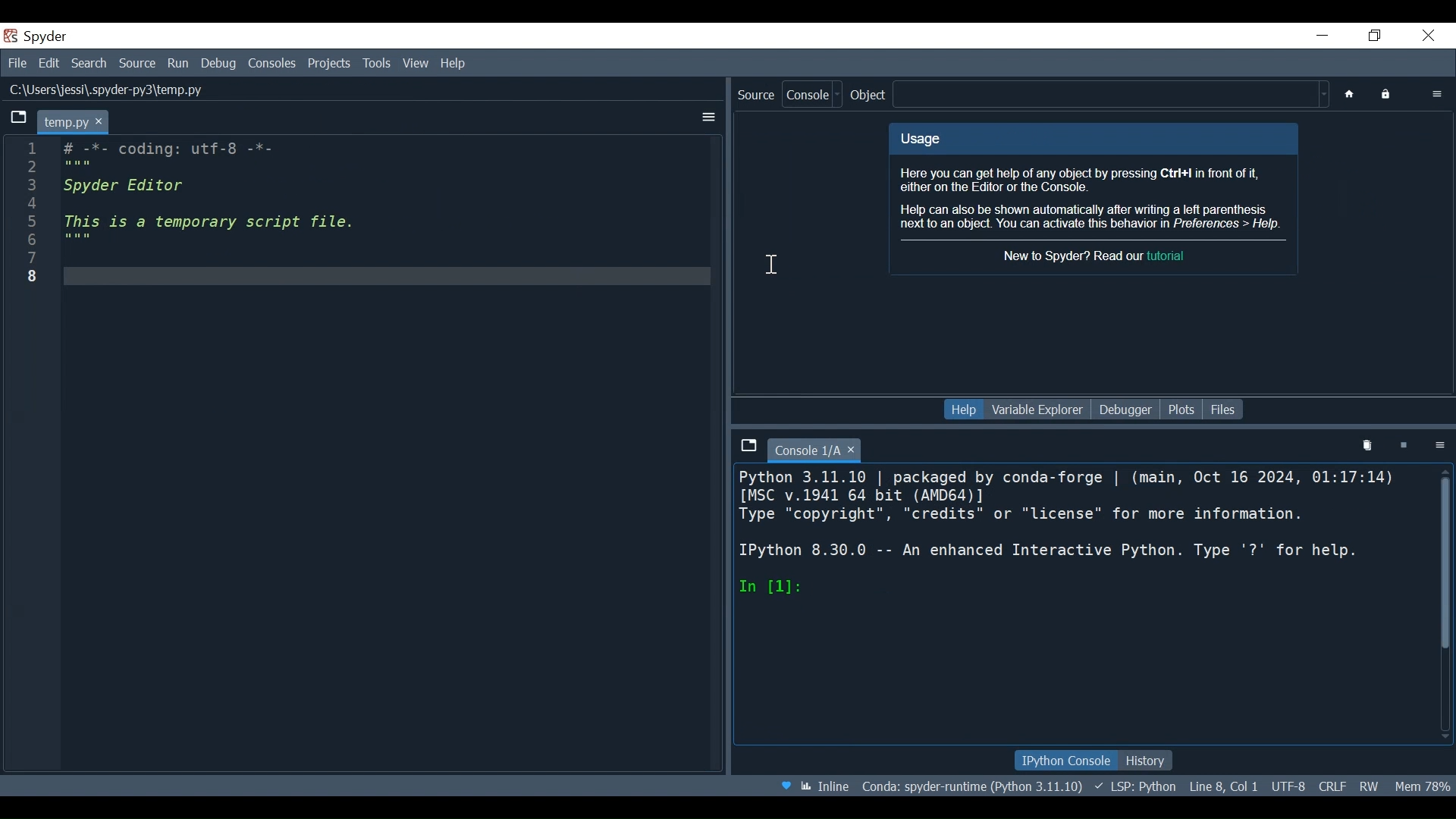 This screenshot has width=1456, height=819. I want to click on View, so click(416, 64).